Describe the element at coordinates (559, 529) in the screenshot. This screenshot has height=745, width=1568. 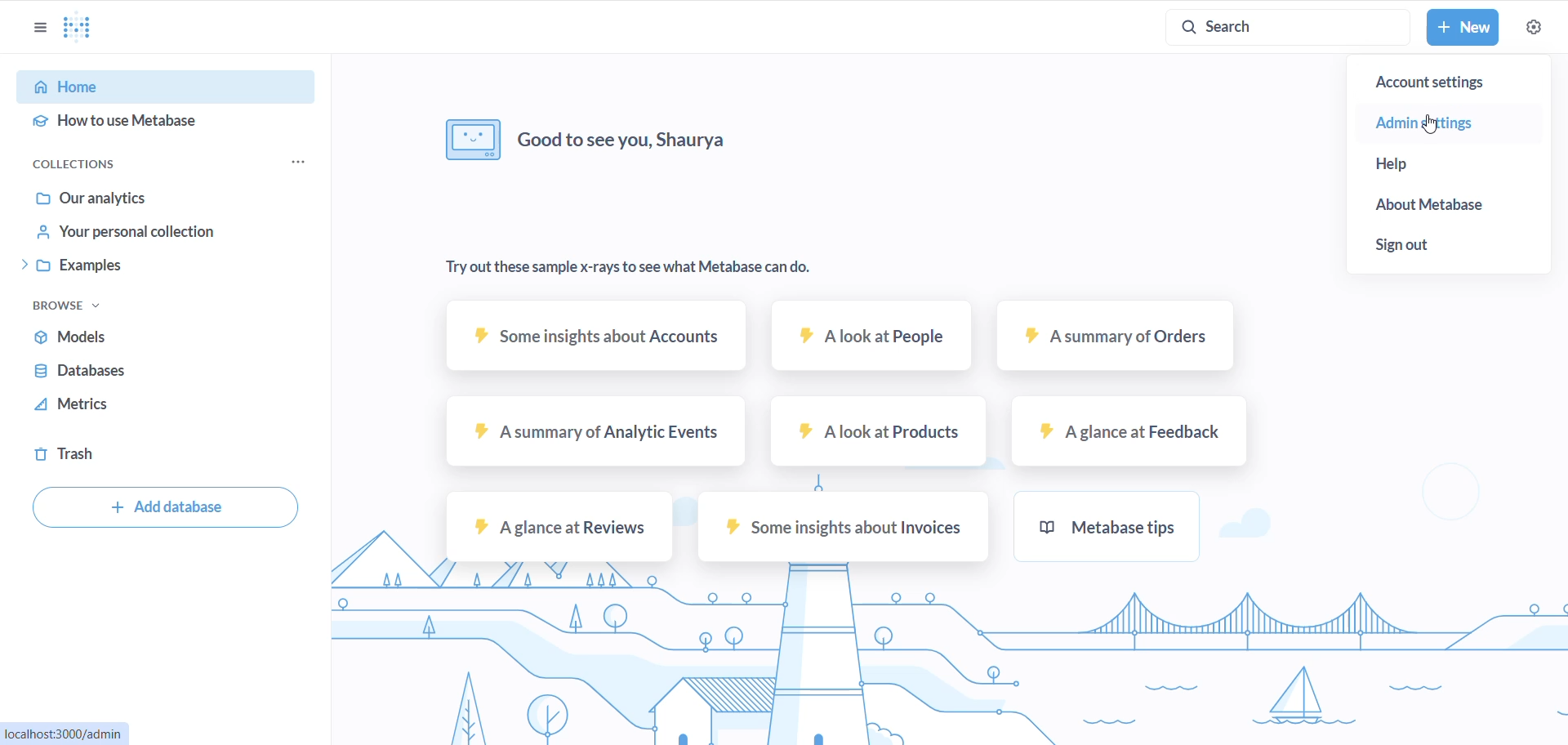
I see `A glance at reviews sample` at that location.